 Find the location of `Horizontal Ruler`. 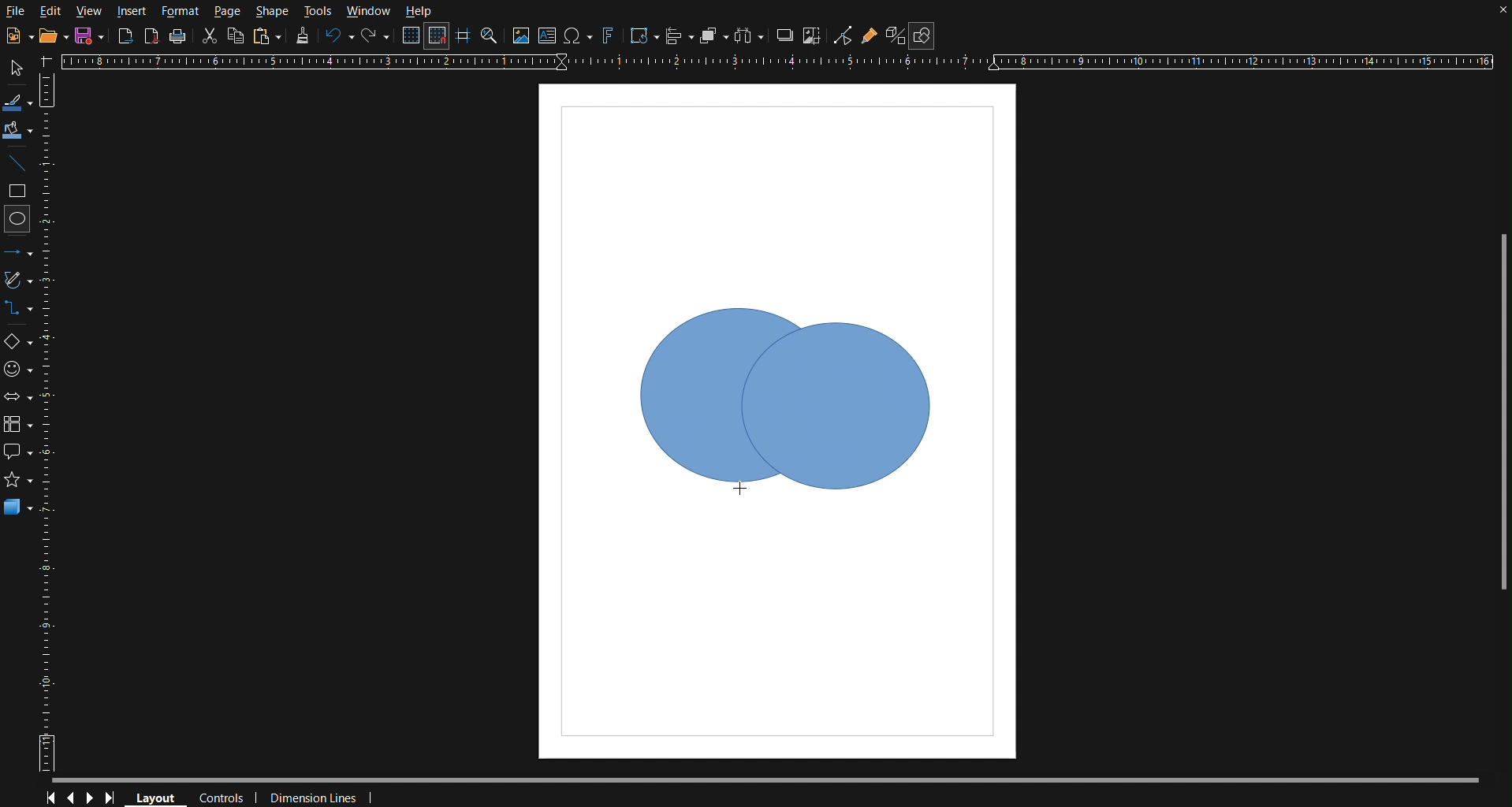

Horizontal Ruler is located at coordinates (784, 62).